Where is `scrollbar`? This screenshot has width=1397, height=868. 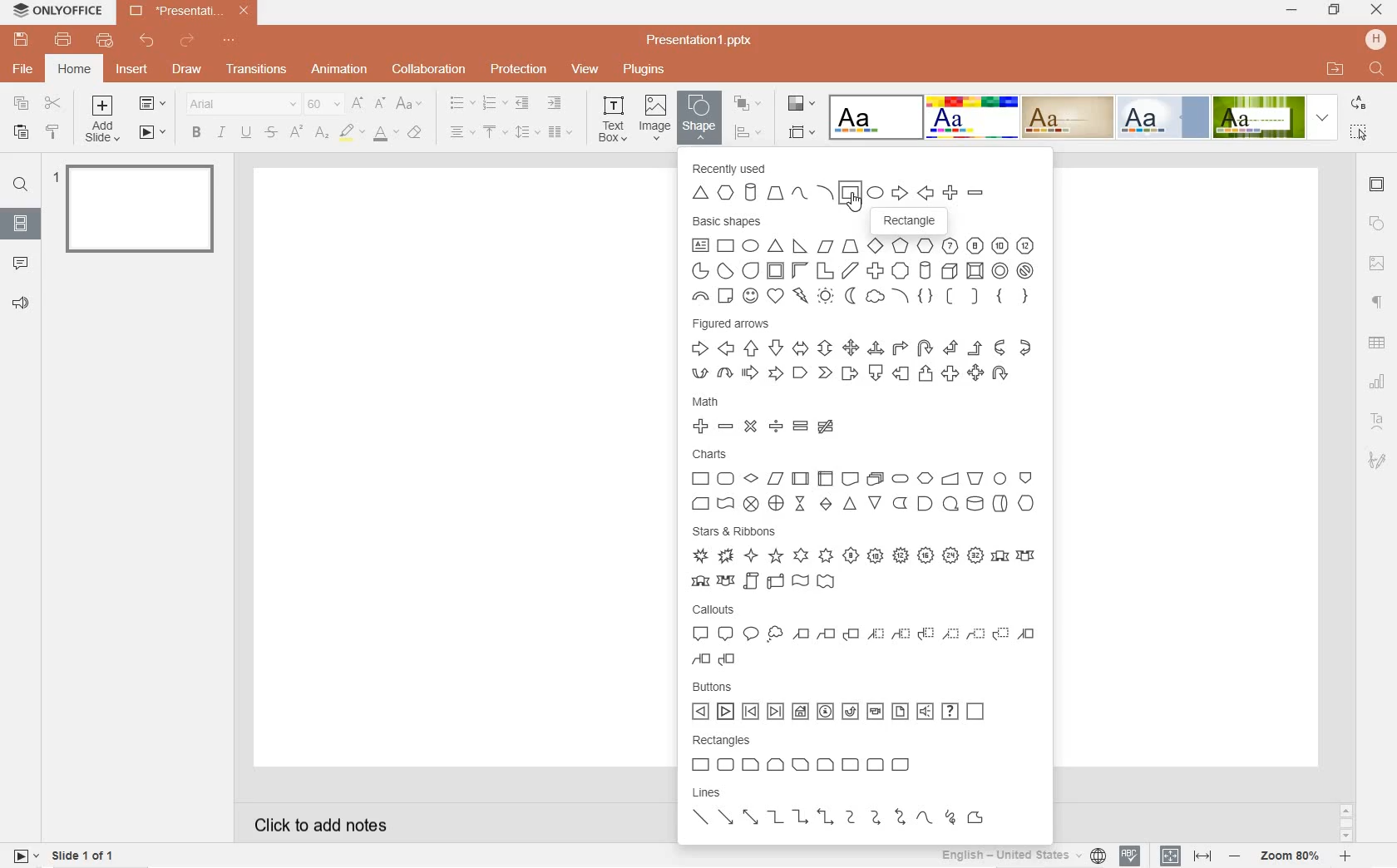
scrollbar is located at coordinates (1345, 822).